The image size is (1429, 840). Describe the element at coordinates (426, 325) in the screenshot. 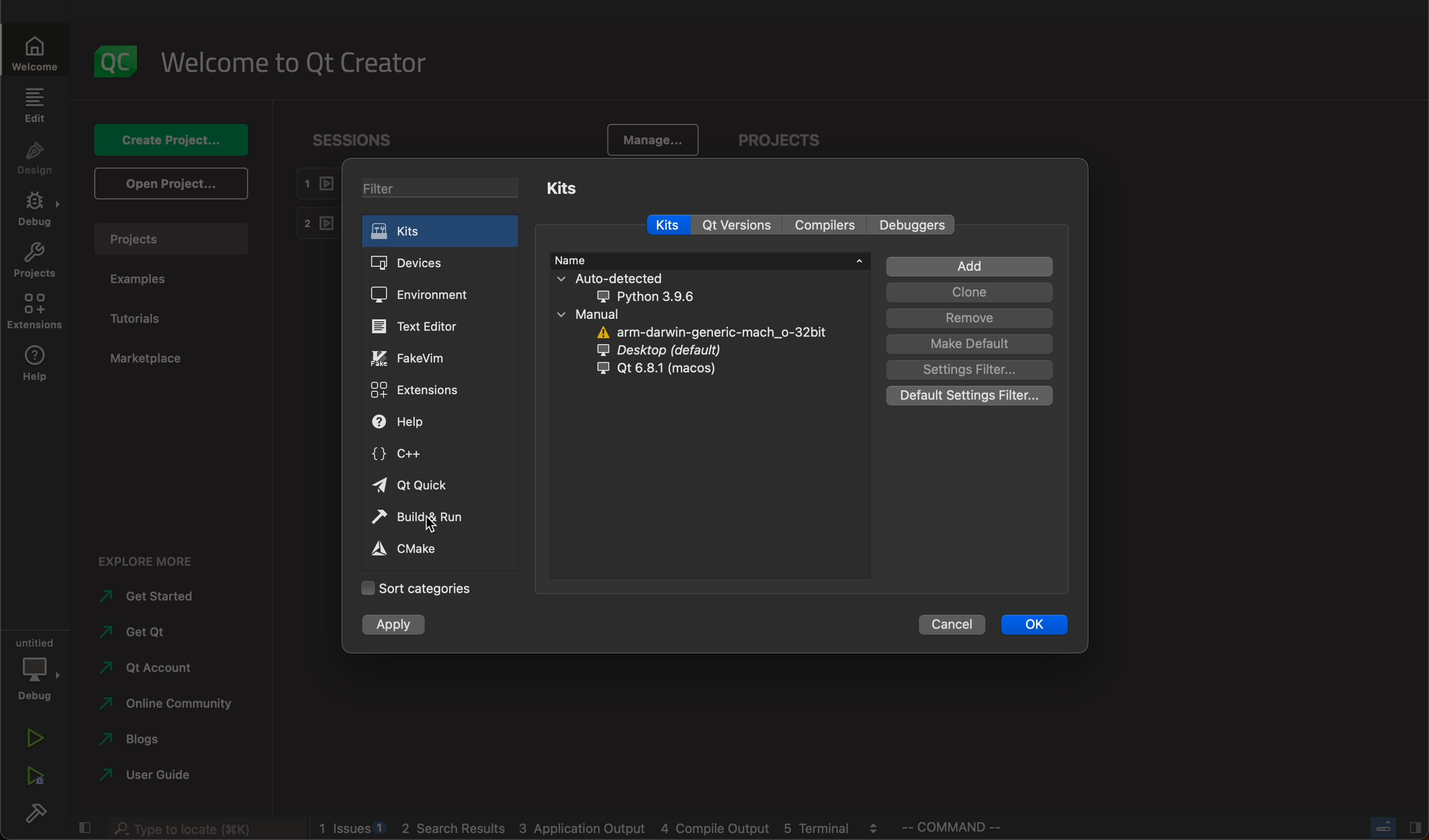

I see `editor` at that location.